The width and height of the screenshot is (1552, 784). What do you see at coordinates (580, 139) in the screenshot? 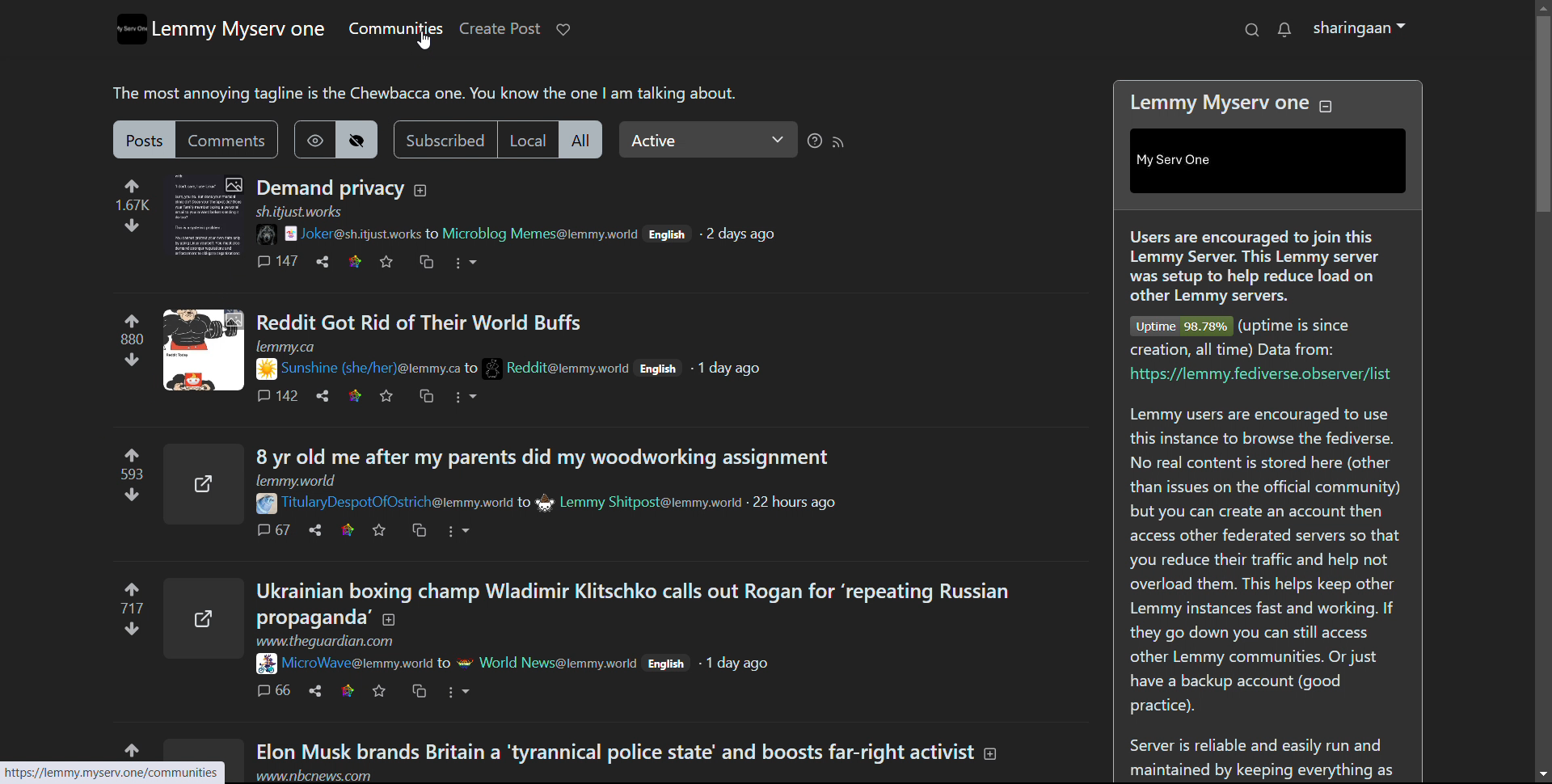
I see `all` at bounding box center [580, 139].